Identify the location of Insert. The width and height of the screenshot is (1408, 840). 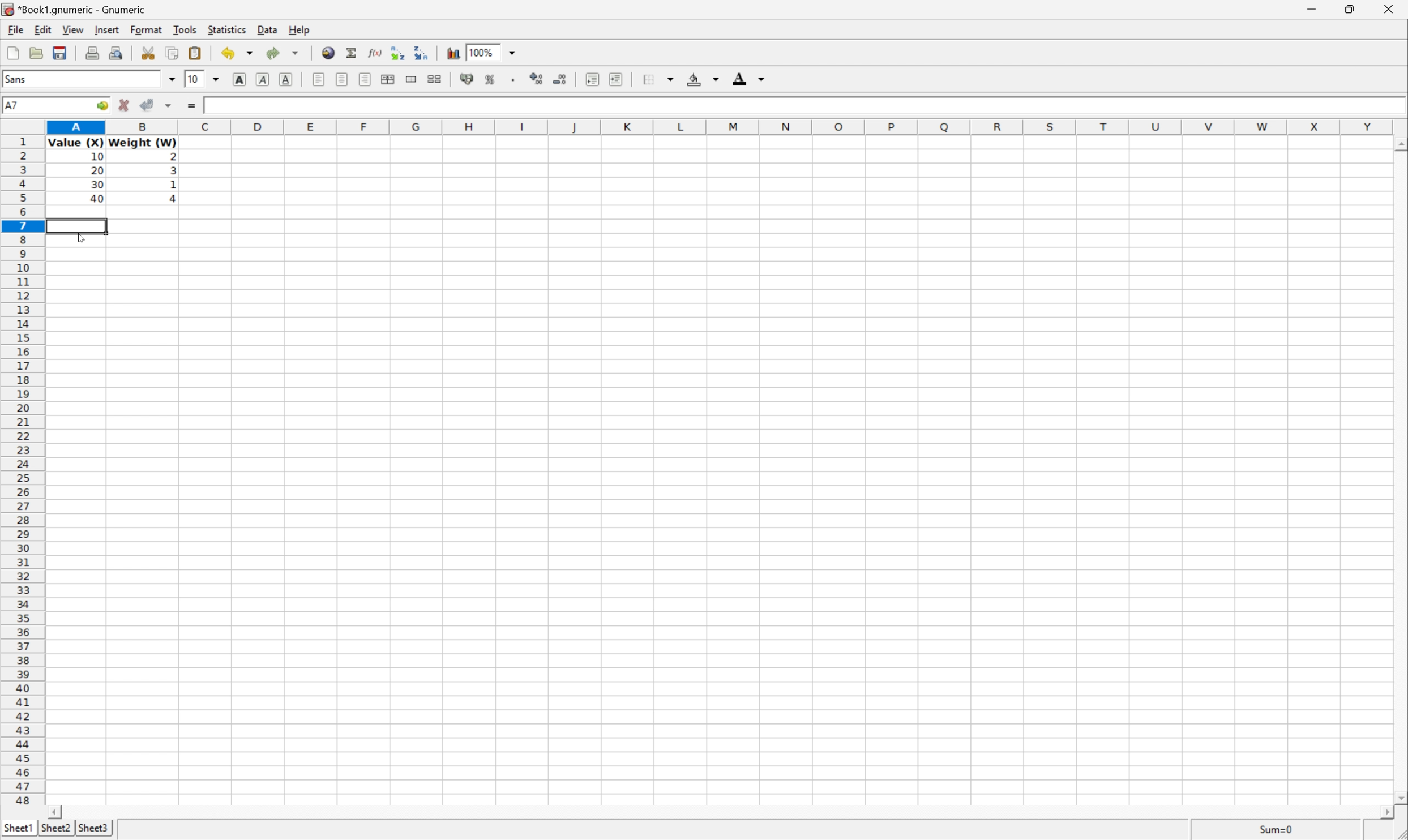
(108, 30).